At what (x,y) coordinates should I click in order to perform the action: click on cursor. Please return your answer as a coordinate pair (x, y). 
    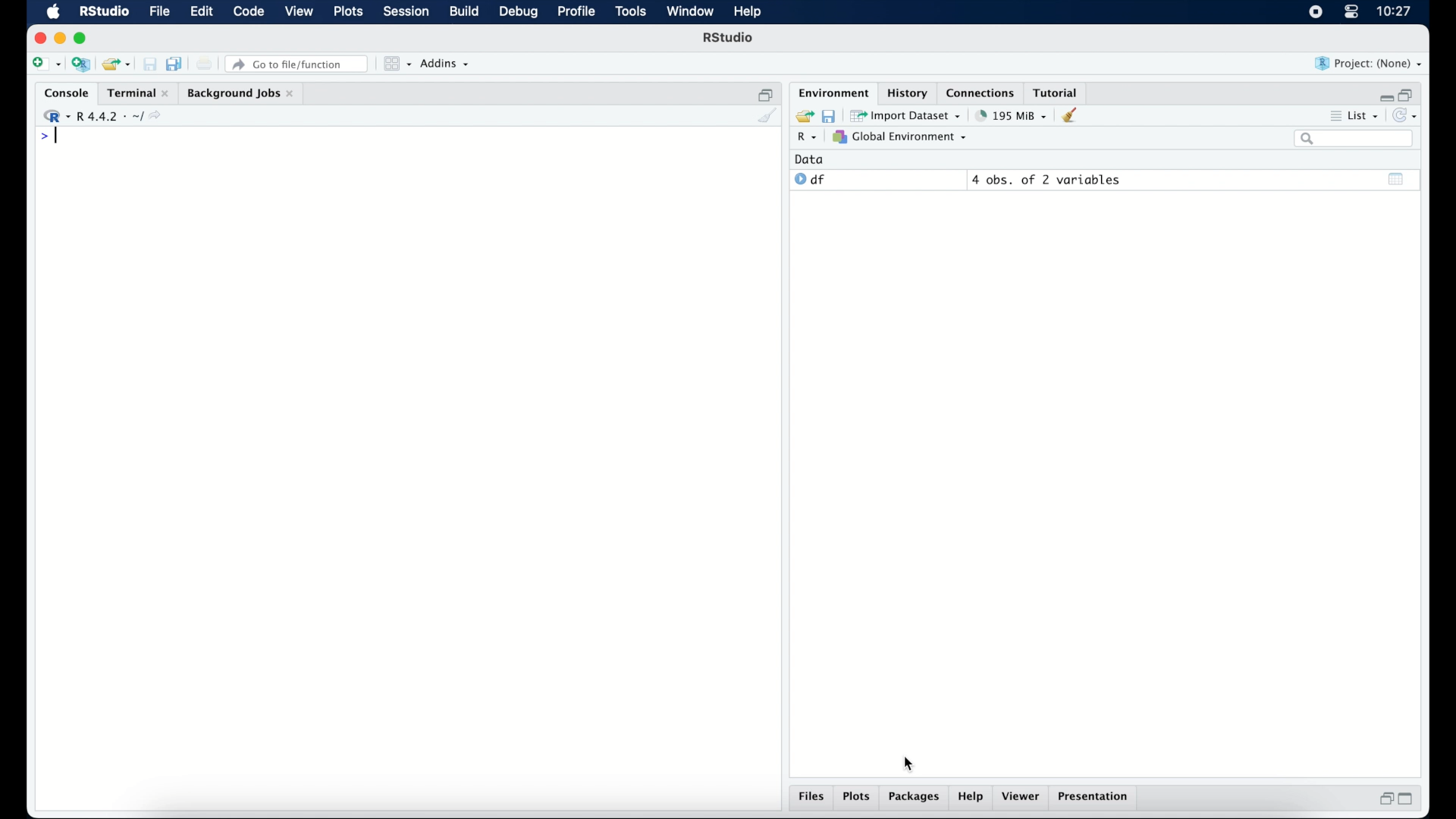
    Looking at the image, I should click on (911, 764).